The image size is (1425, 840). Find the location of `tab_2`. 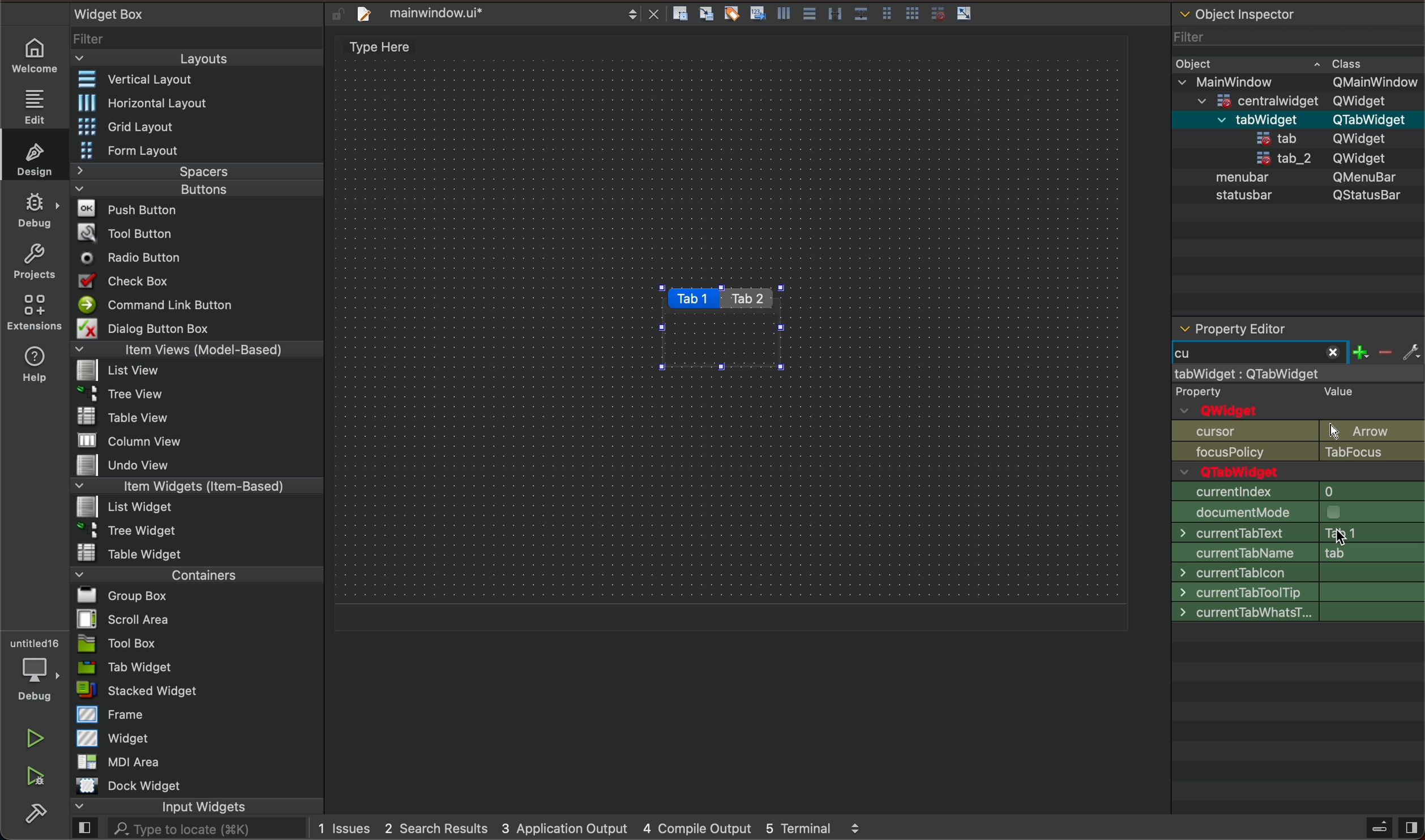

tab_2 is located at coordinates (1270, 160).